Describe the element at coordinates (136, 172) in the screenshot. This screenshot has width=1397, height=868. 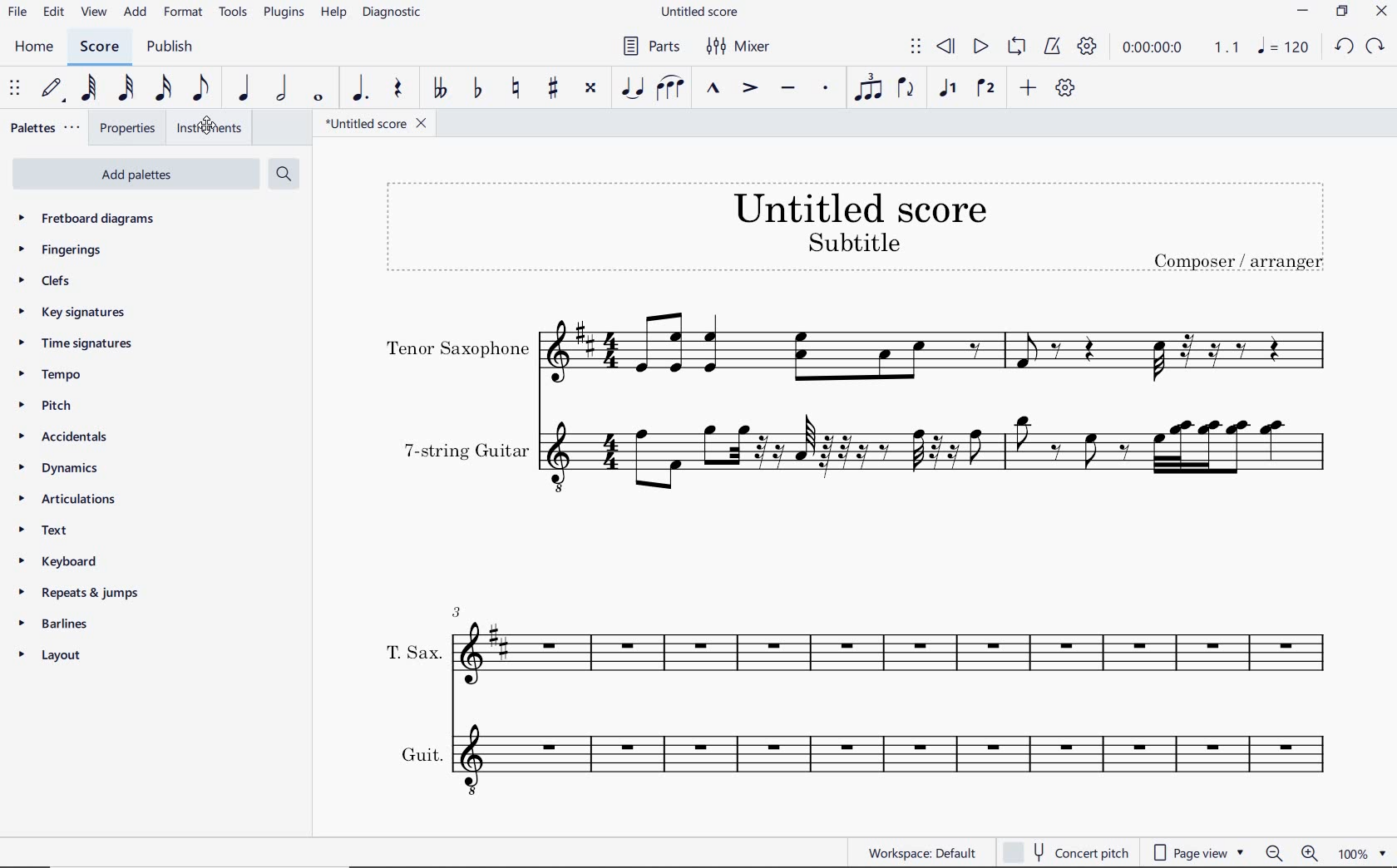
I see `ADD PALETTES` at that location.